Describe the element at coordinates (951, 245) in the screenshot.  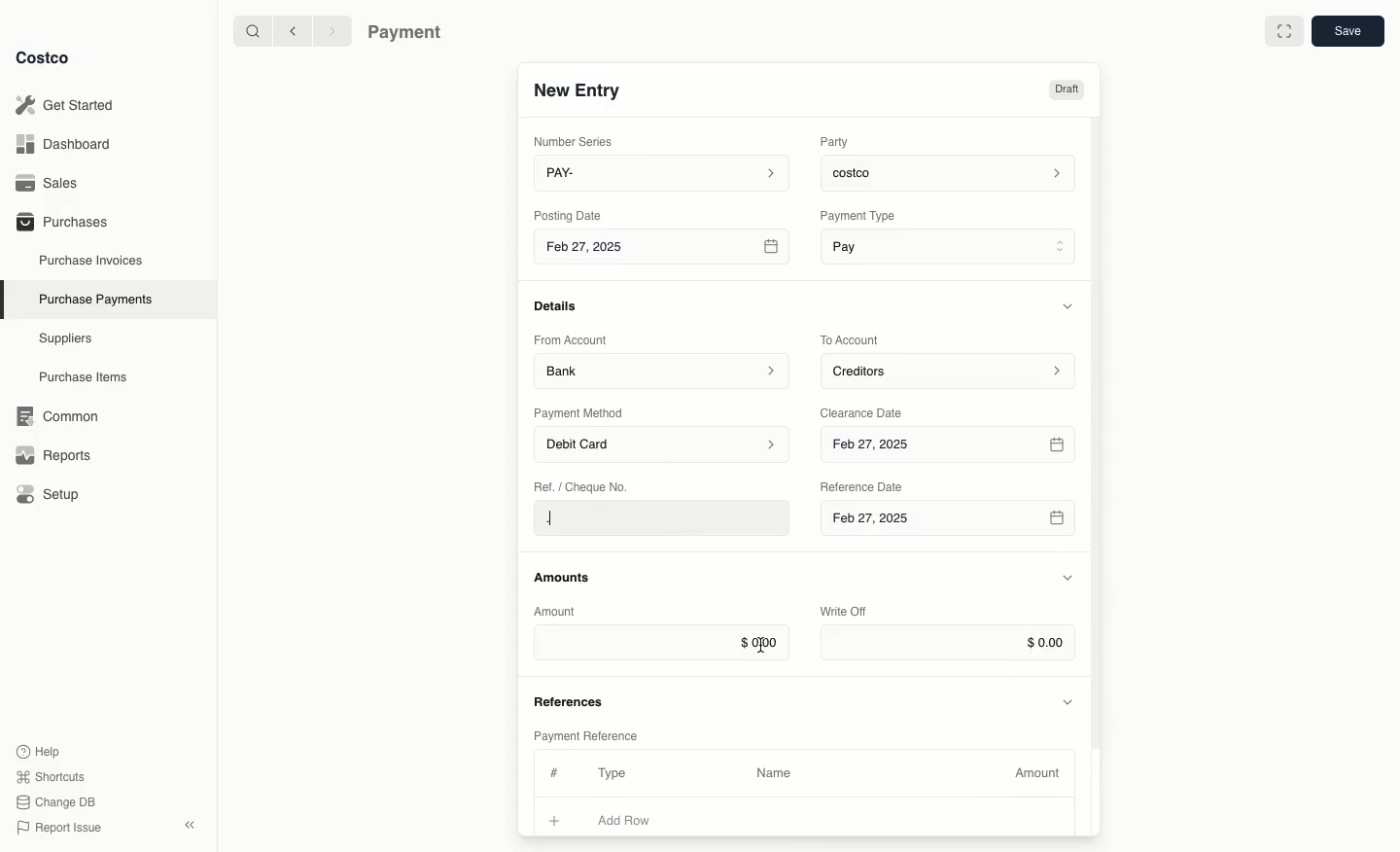
I see `Pay` at that location.